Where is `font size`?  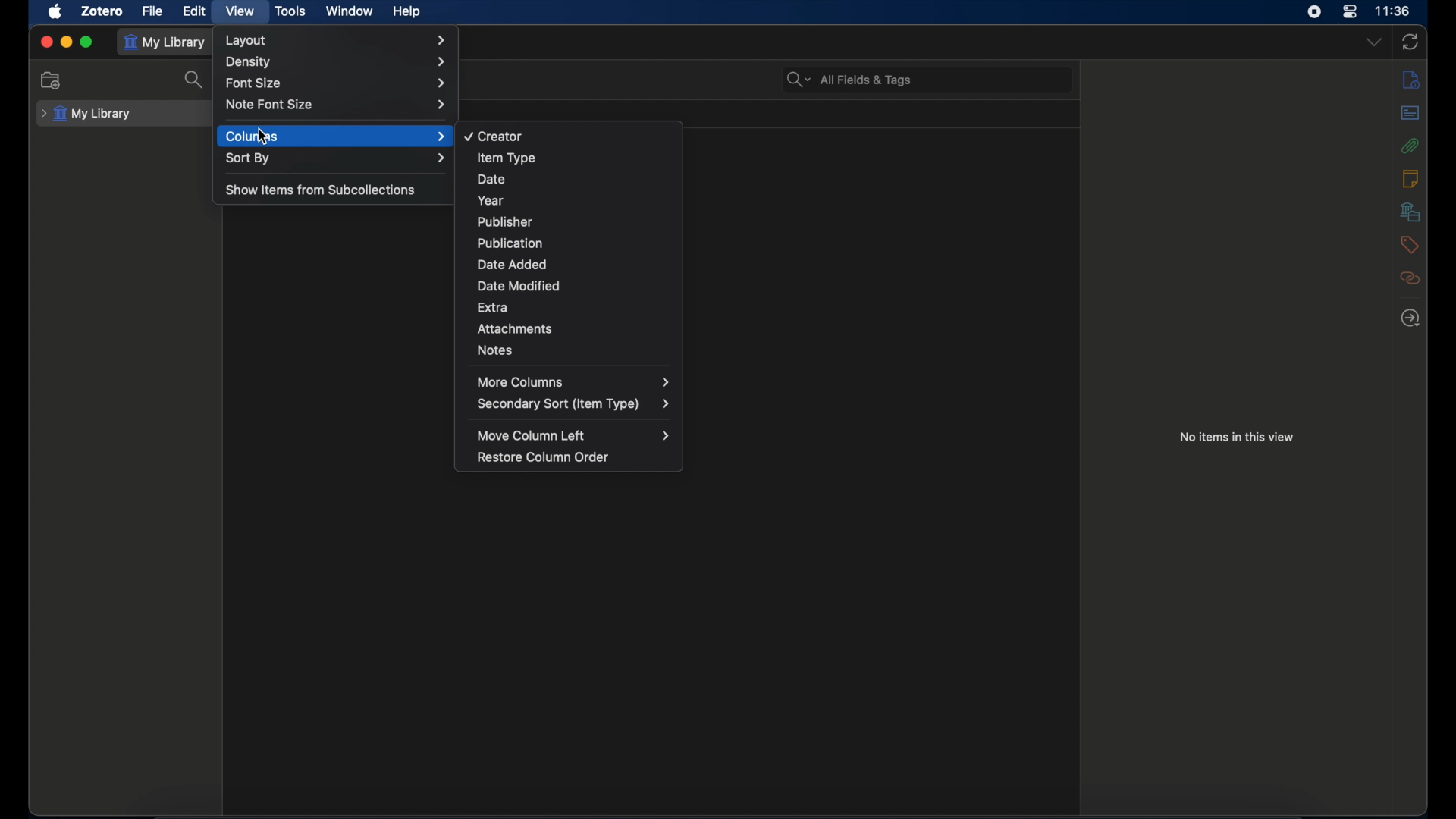 font size is located at coordinates (335, 84).